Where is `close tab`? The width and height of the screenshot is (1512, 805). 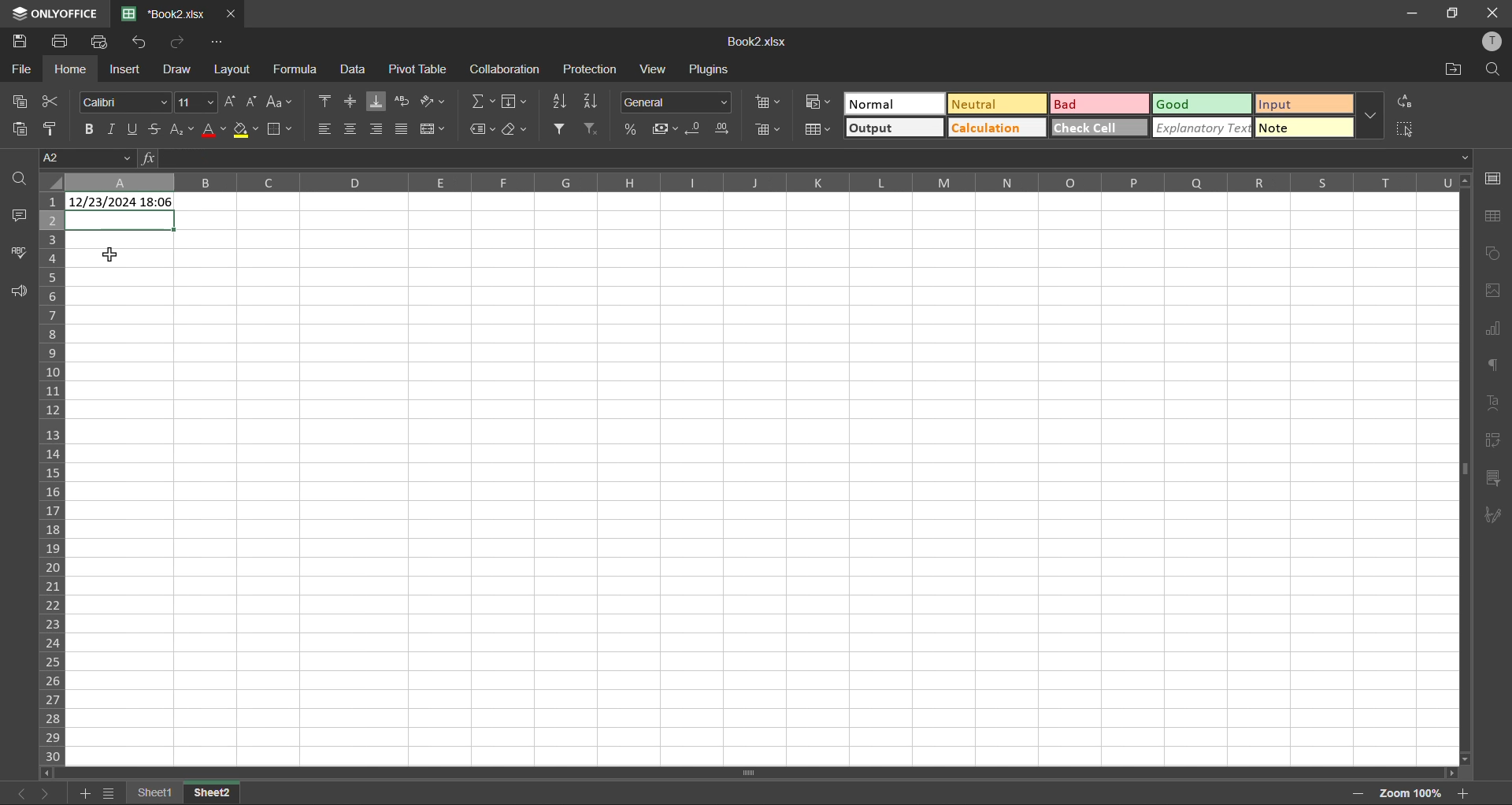
close tab is located at coordinates (229, 16).